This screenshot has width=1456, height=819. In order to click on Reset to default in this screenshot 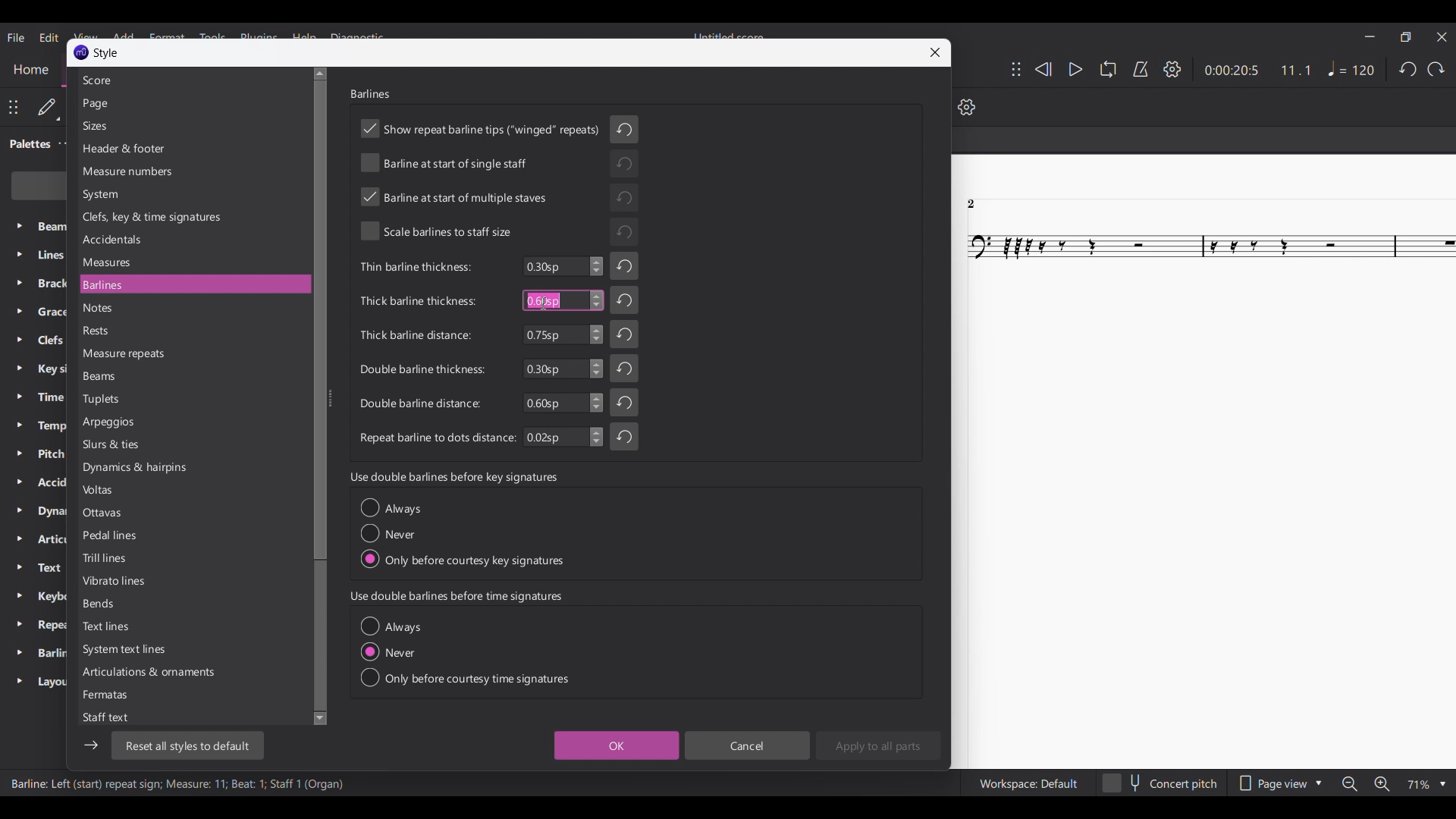, I will do `click(188, 745)`.